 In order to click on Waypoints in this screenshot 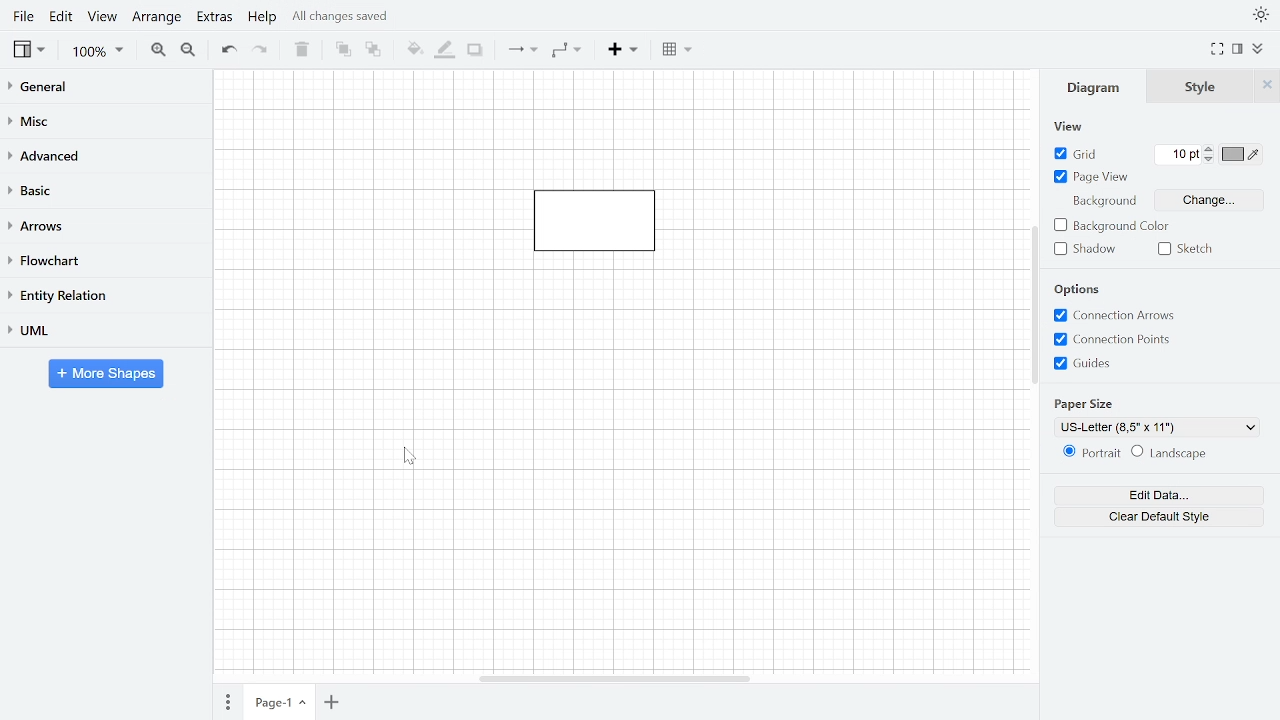, I will do `click(567, 51)`.